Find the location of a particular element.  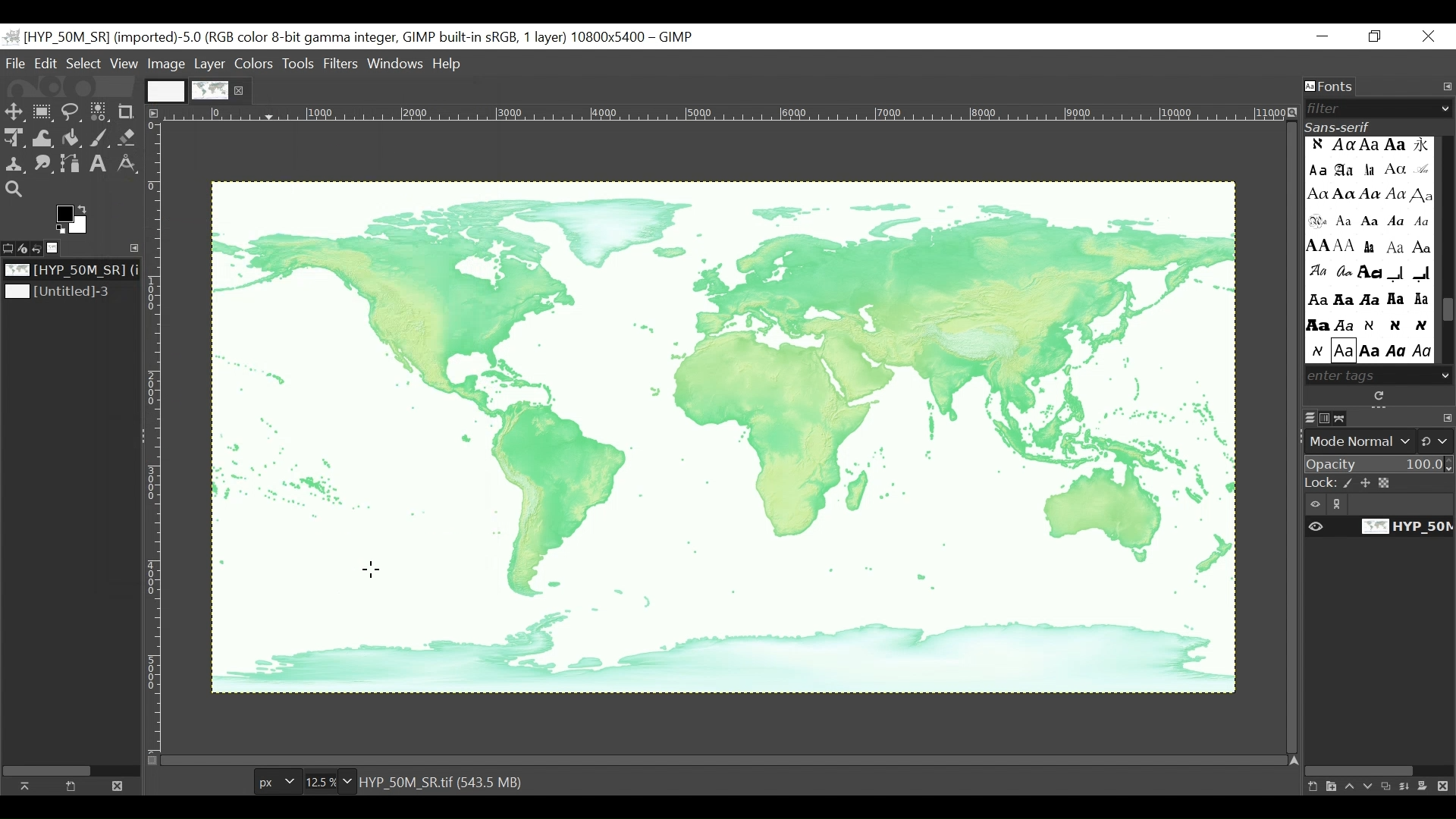

Fill is located at coordinates (70, 140).